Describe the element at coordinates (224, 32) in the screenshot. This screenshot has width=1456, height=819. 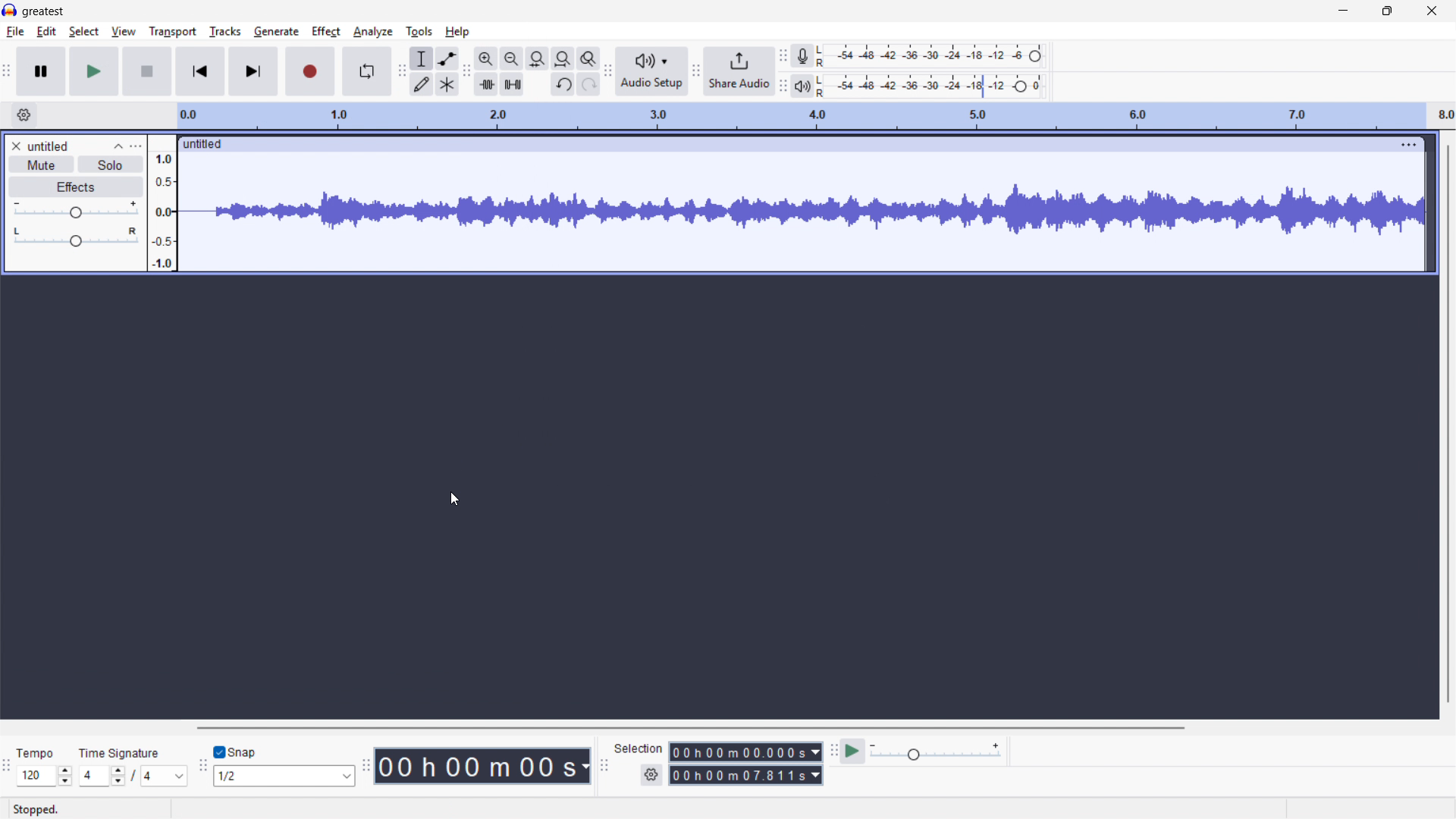
I see `tracks` at that location.